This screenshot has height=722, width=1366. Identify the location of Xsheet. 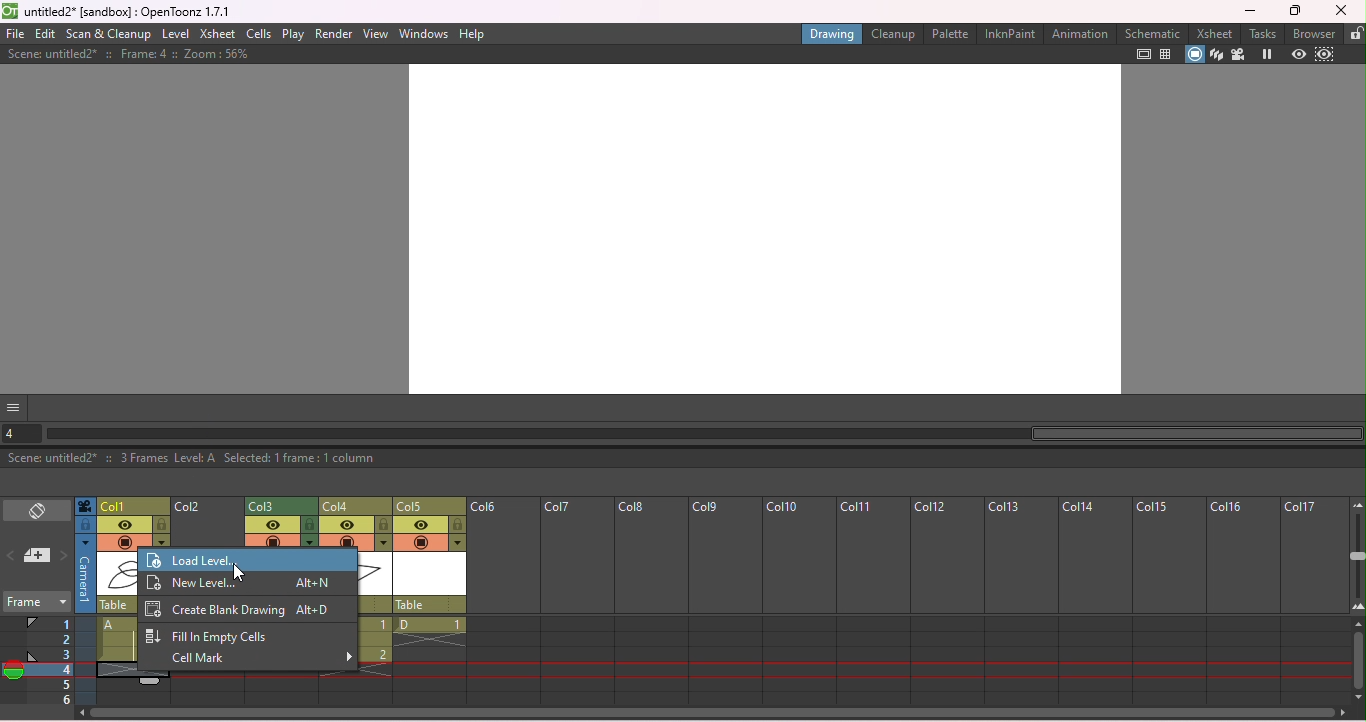
(1217, 33).